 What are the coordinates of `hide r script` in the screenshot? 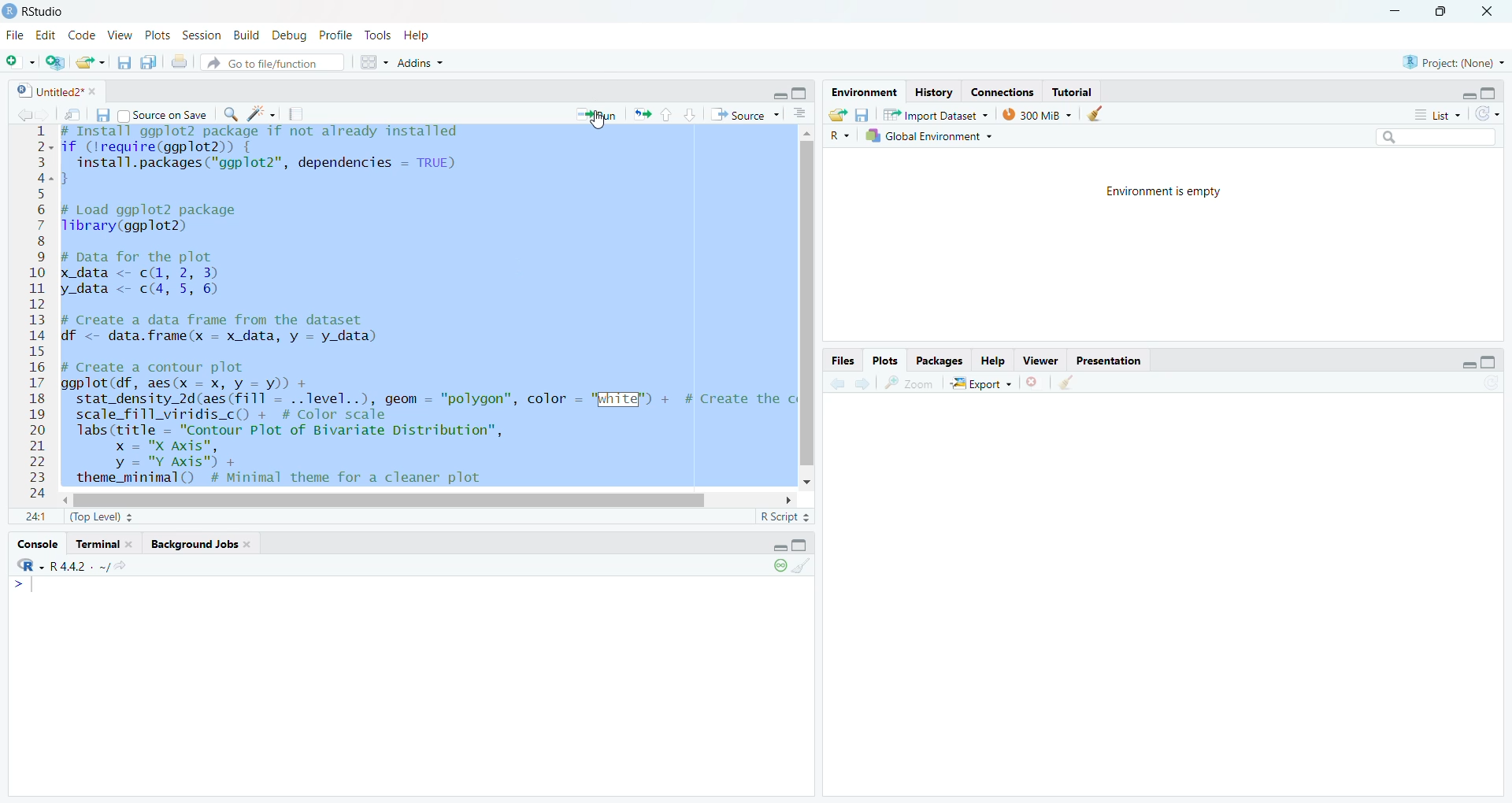 It's located at (1464, 93).